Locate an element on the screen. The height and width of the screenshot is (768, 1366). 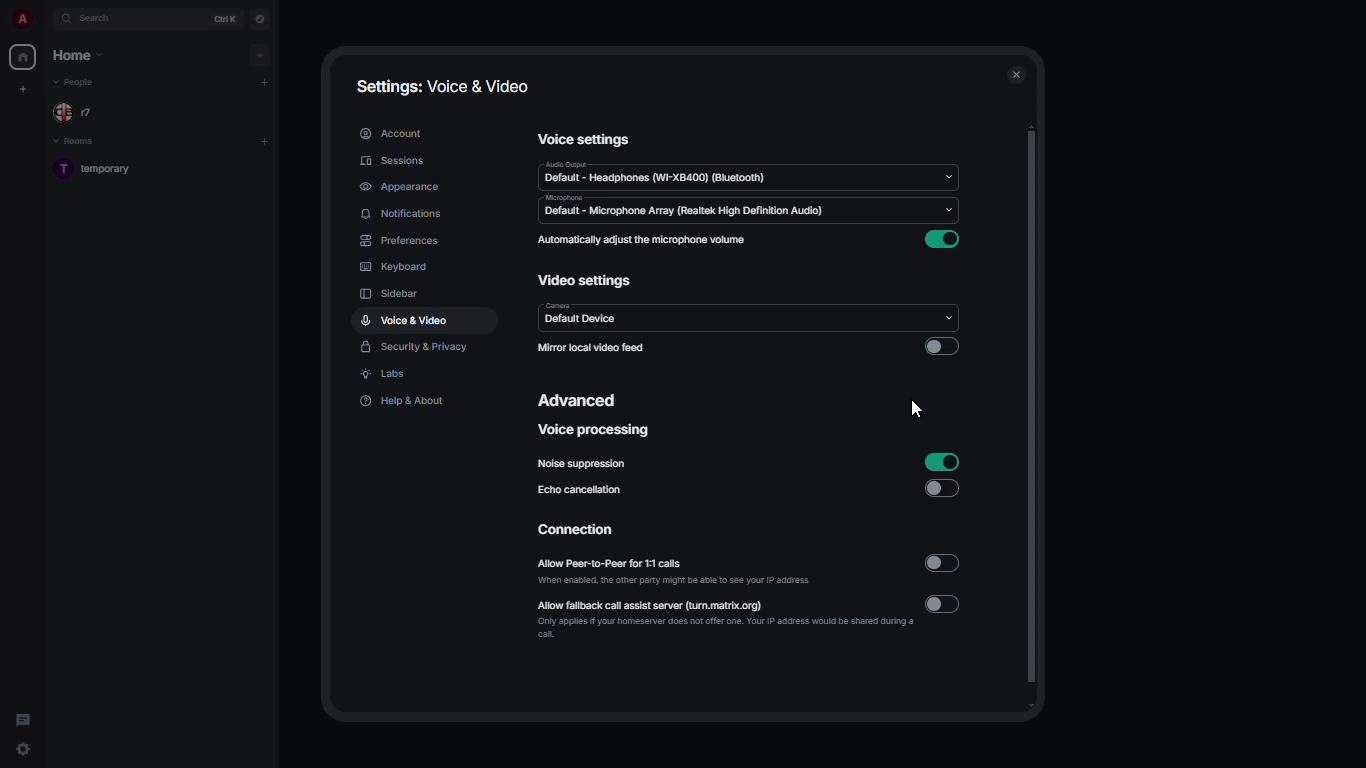
connection is located at coordinates (578, 531).